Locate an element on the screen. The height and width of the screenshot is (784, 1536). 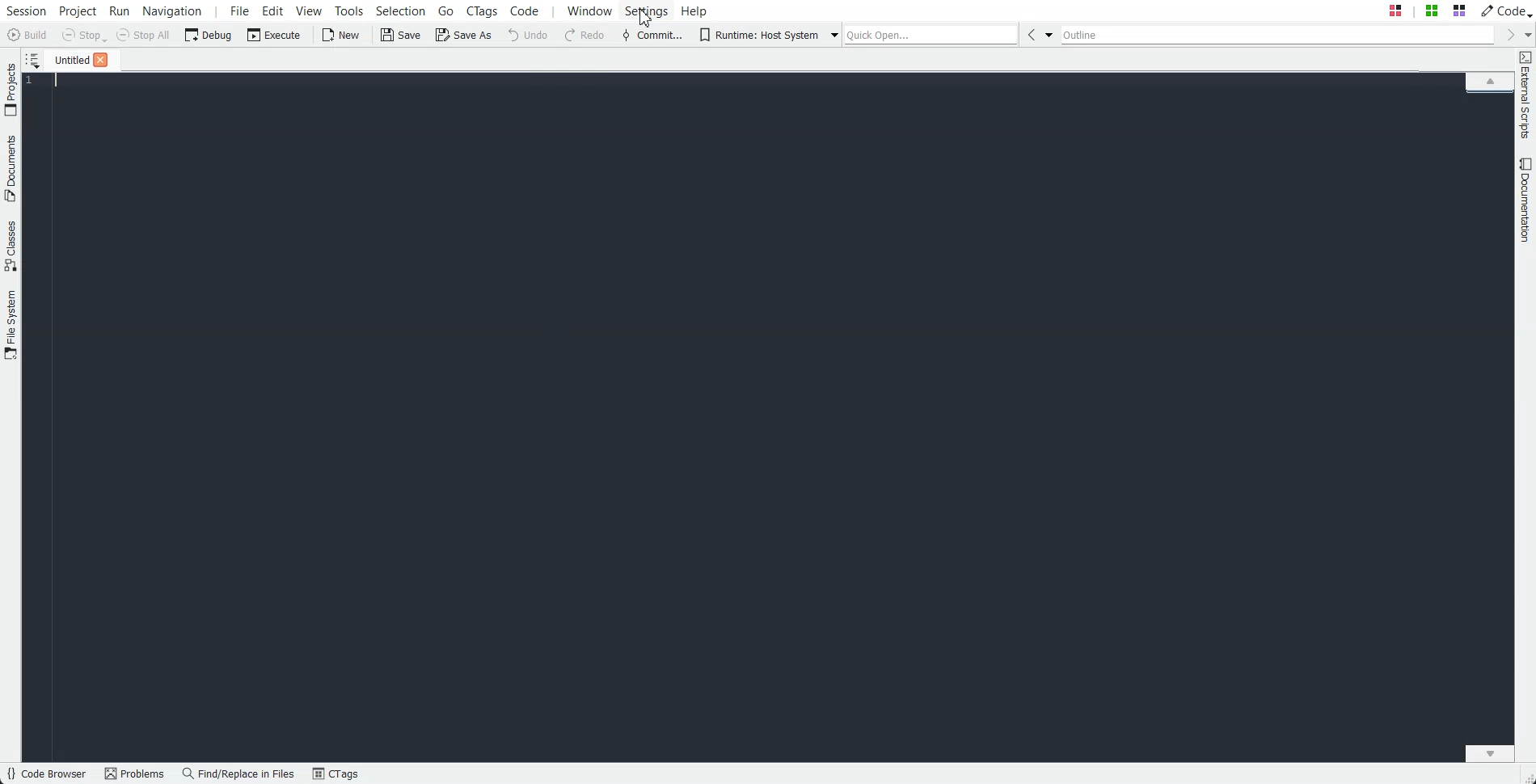
cursor is located at coordinates (644, 17).